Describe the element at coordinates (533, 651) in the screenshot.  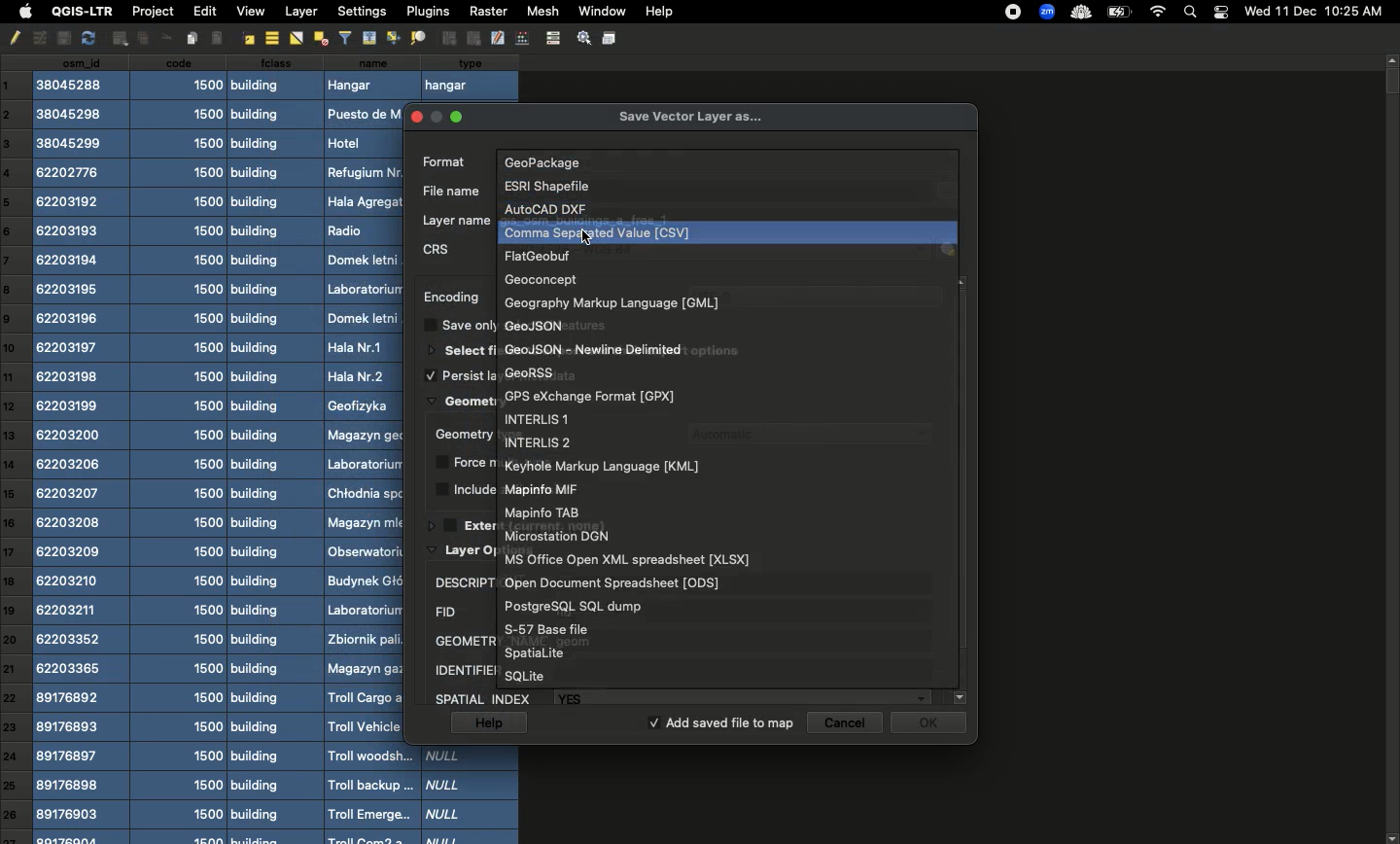
I see `Spatialite` at that location.